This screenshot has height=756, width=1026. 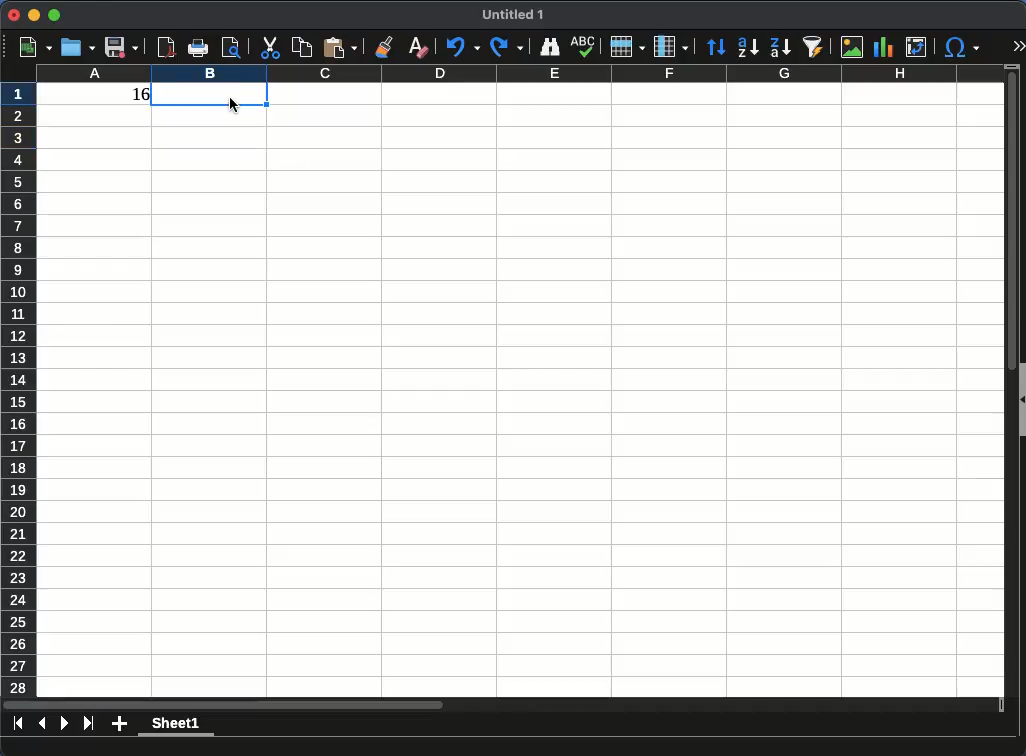 What do you see at coordinates (628, 47) in the screenshot?
I see `rows` at bounding box center [628, 47].